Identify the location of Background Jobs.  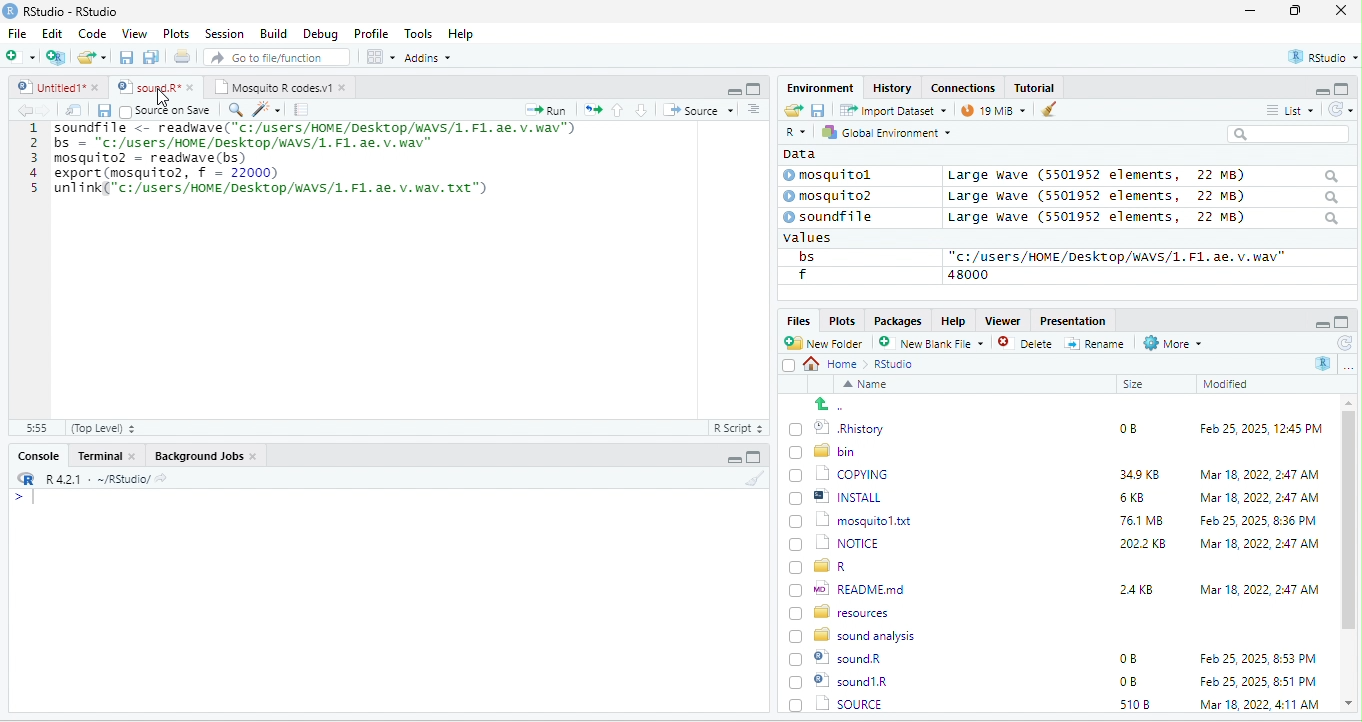
(205, 455).